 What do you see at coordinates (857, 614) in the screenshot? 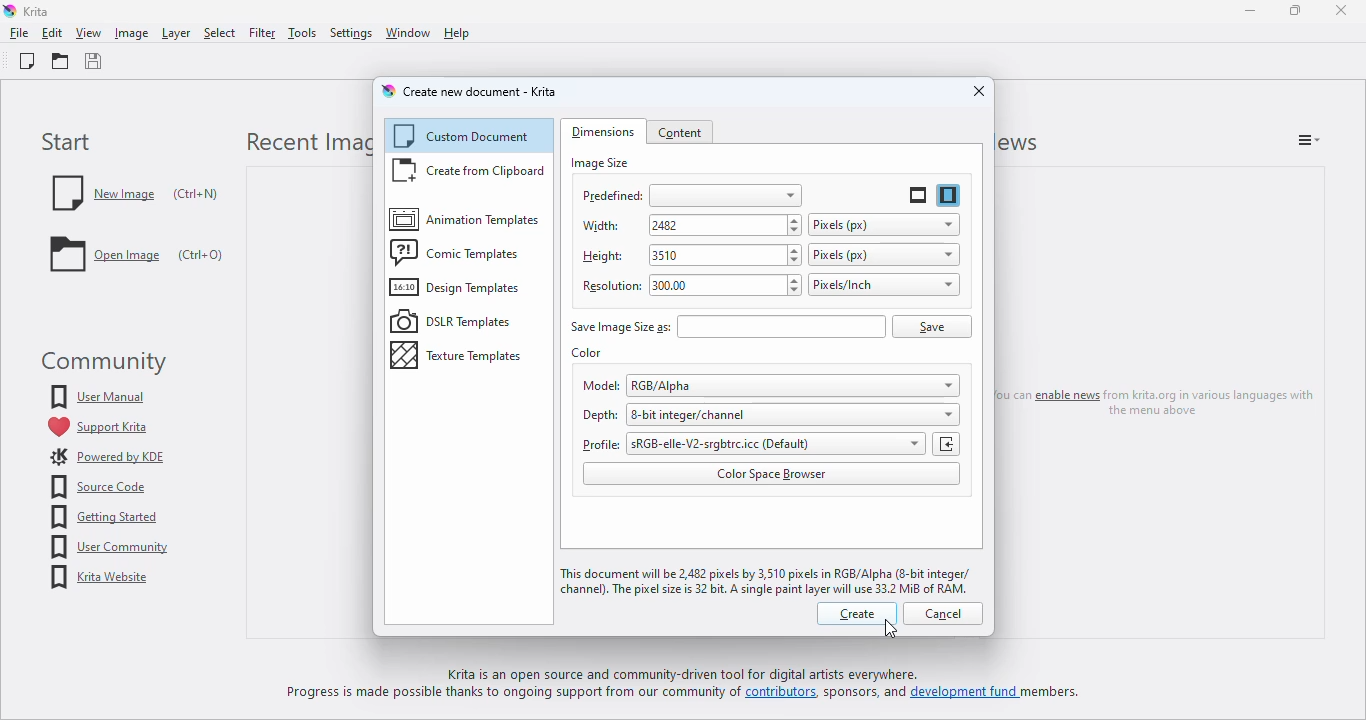
I see `create` at bounding box center [857, 614].